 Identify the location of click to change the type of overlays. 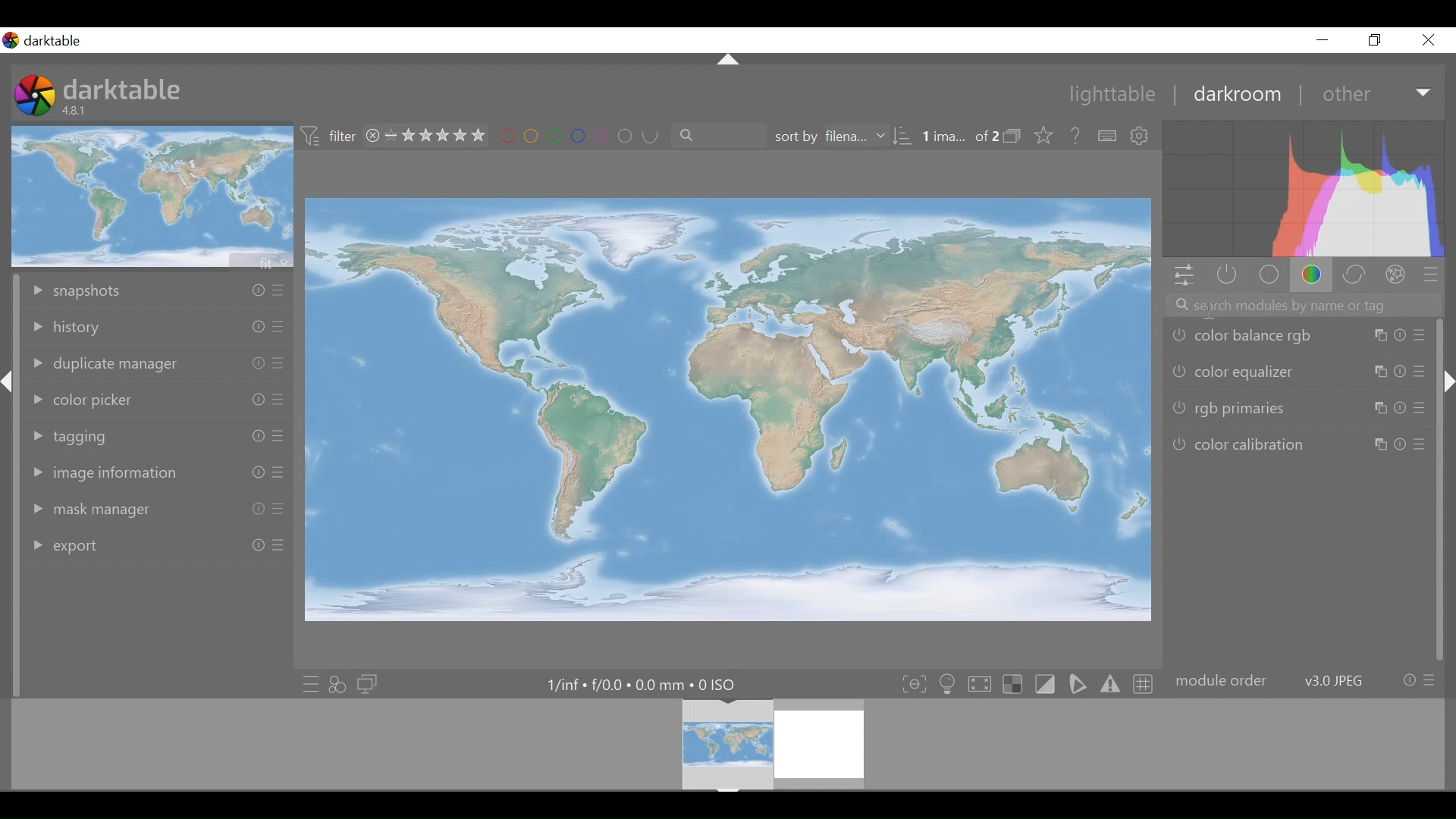
(1046, 134).